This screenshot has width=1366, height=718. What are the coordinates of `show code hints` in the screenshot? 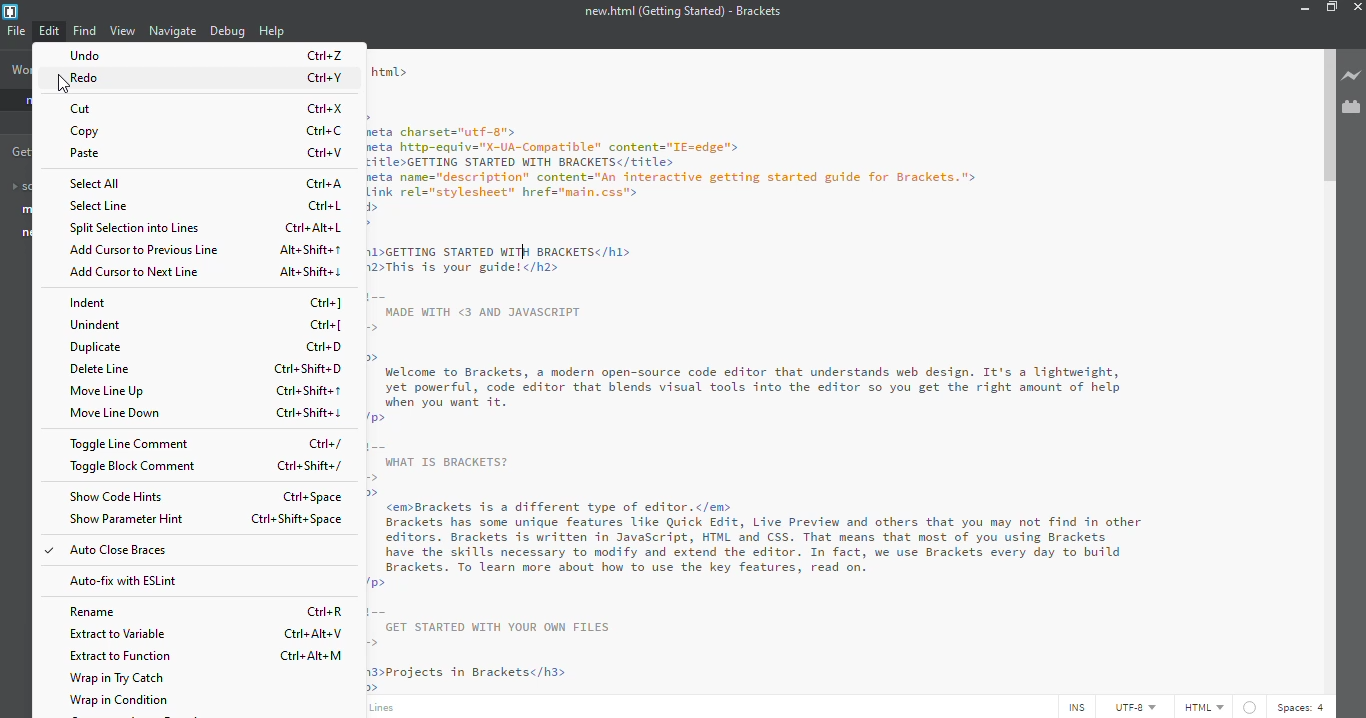 It's located at (115, 495).